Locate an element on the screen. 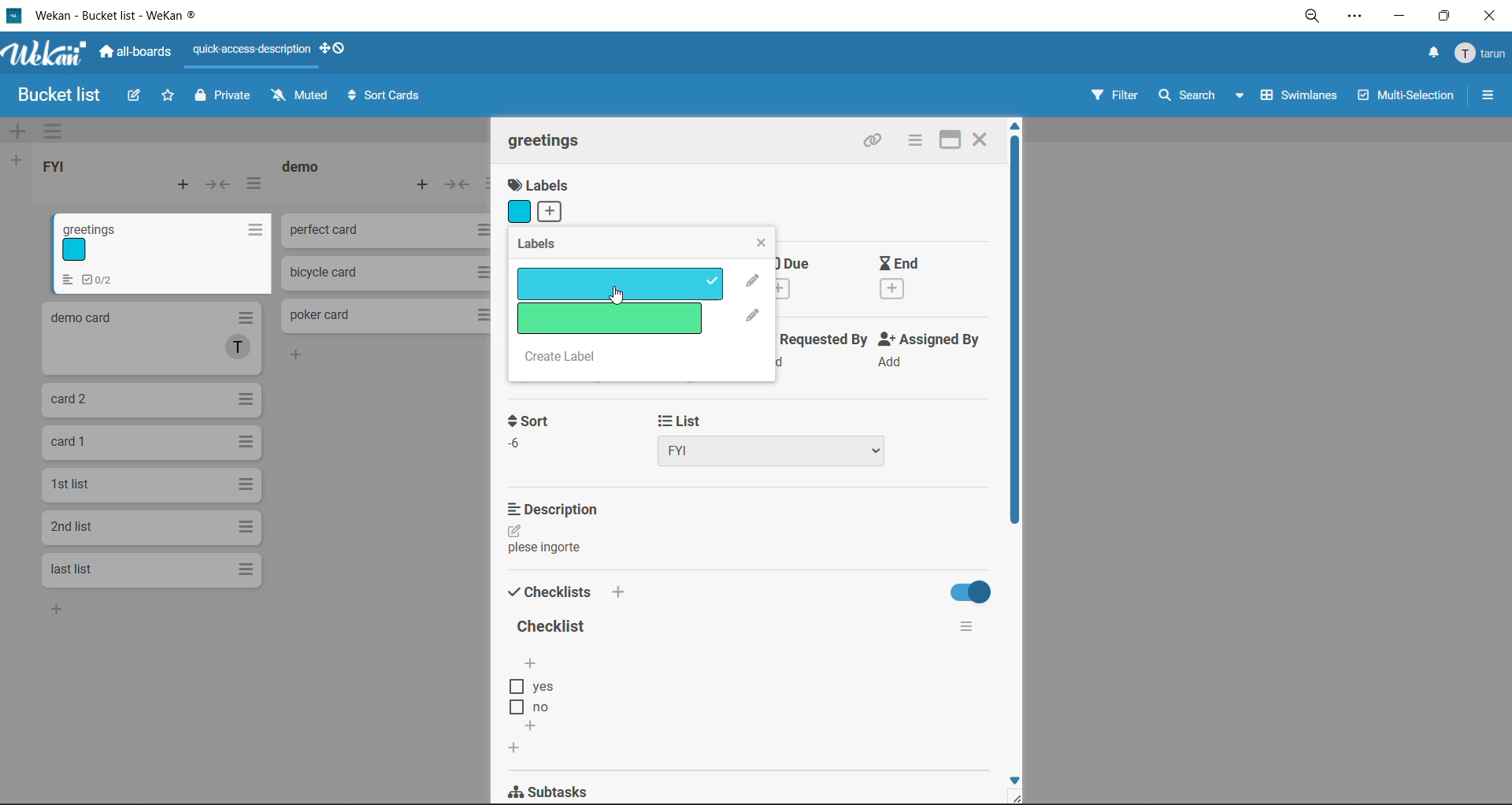 This screenshot has height=805, width=1512. subtasks is located at coordinates (560, 789).